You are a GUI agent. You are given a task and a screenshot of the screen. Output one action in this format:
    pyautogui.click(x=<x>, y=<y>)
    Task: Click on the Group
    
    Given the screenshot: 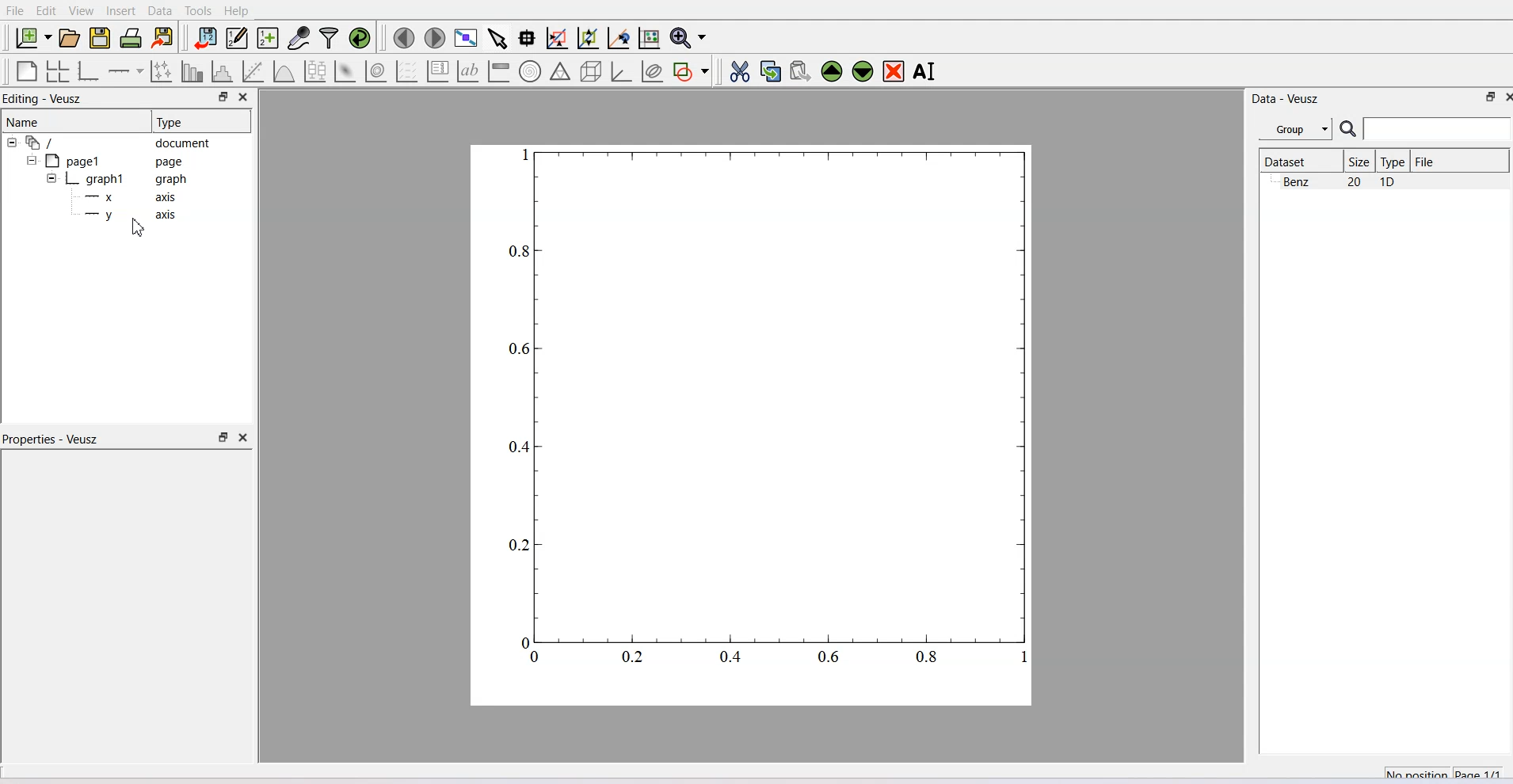 What is the action you would take?
    pyautogui.click(x=1295, y=127)
    